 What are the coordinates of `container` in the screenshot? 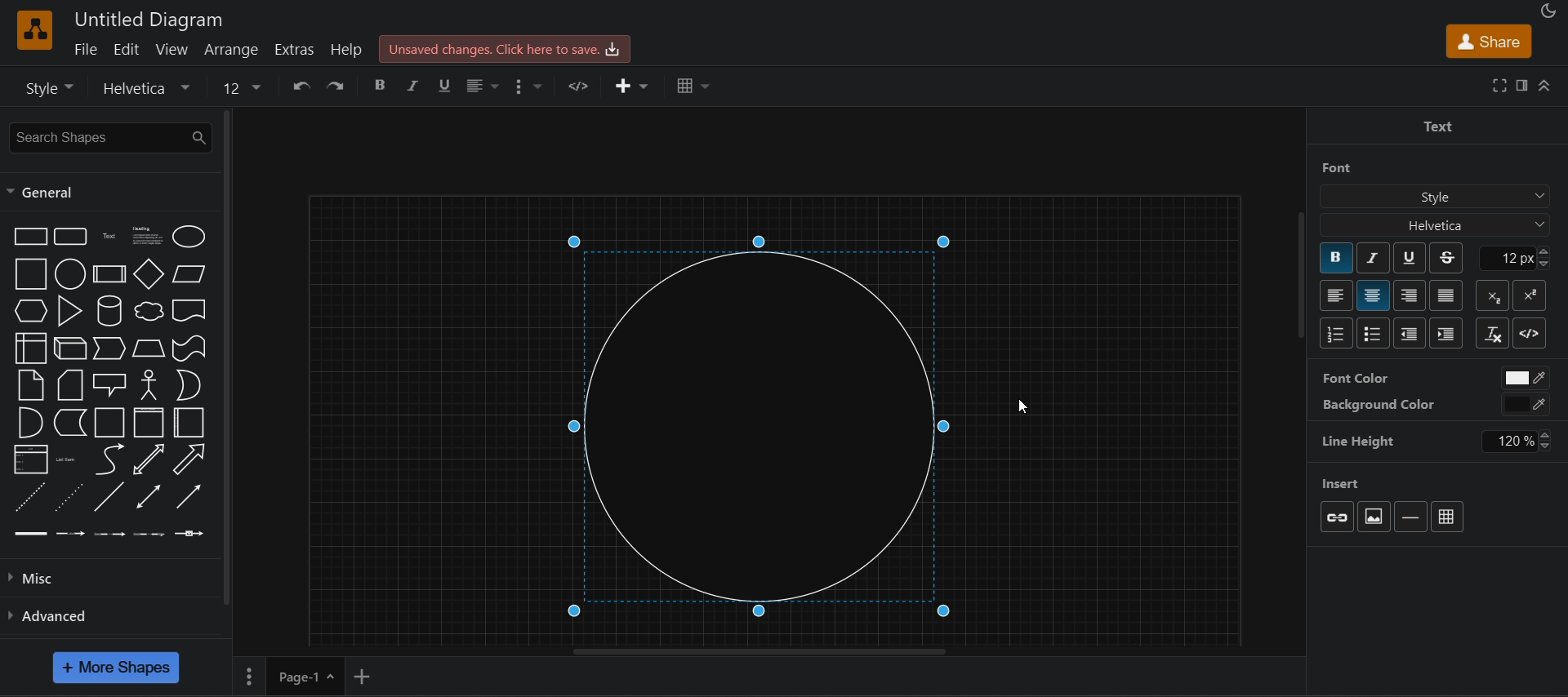 It's located at (111, 422).